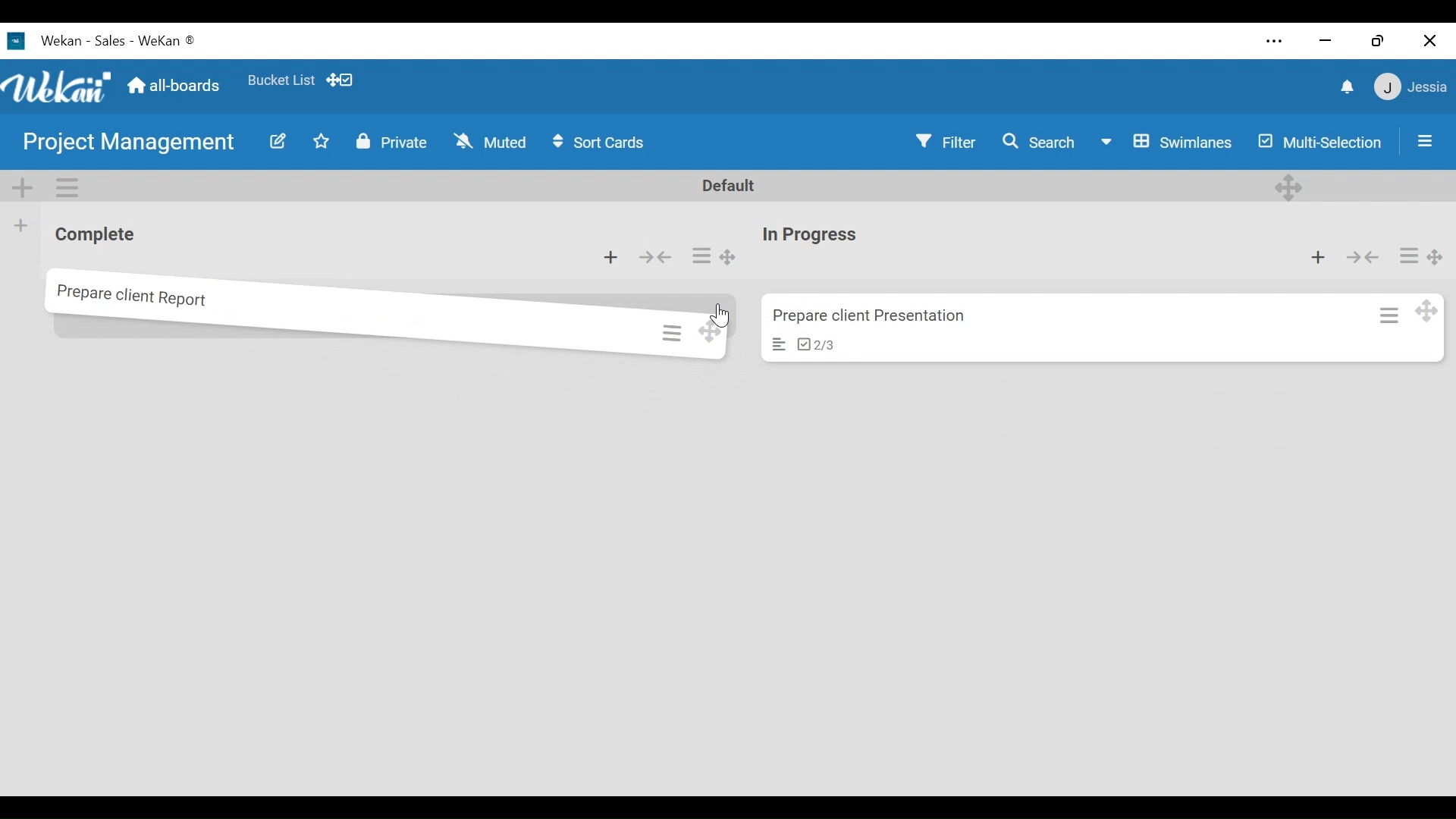  I want to click on Wekan logo, so click(59, 88).